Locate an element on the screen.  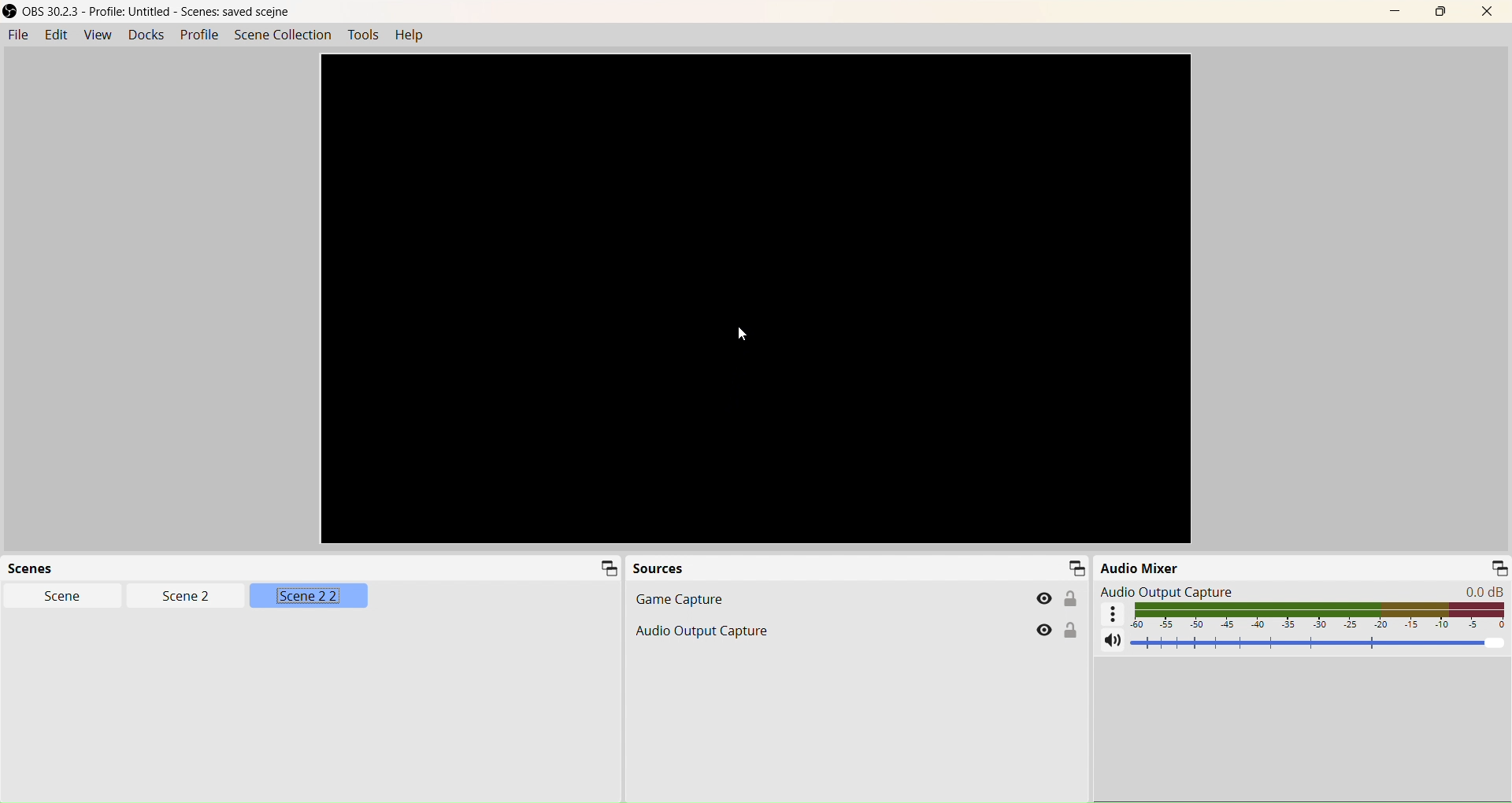
Scene is located at coordinates (62, 596).